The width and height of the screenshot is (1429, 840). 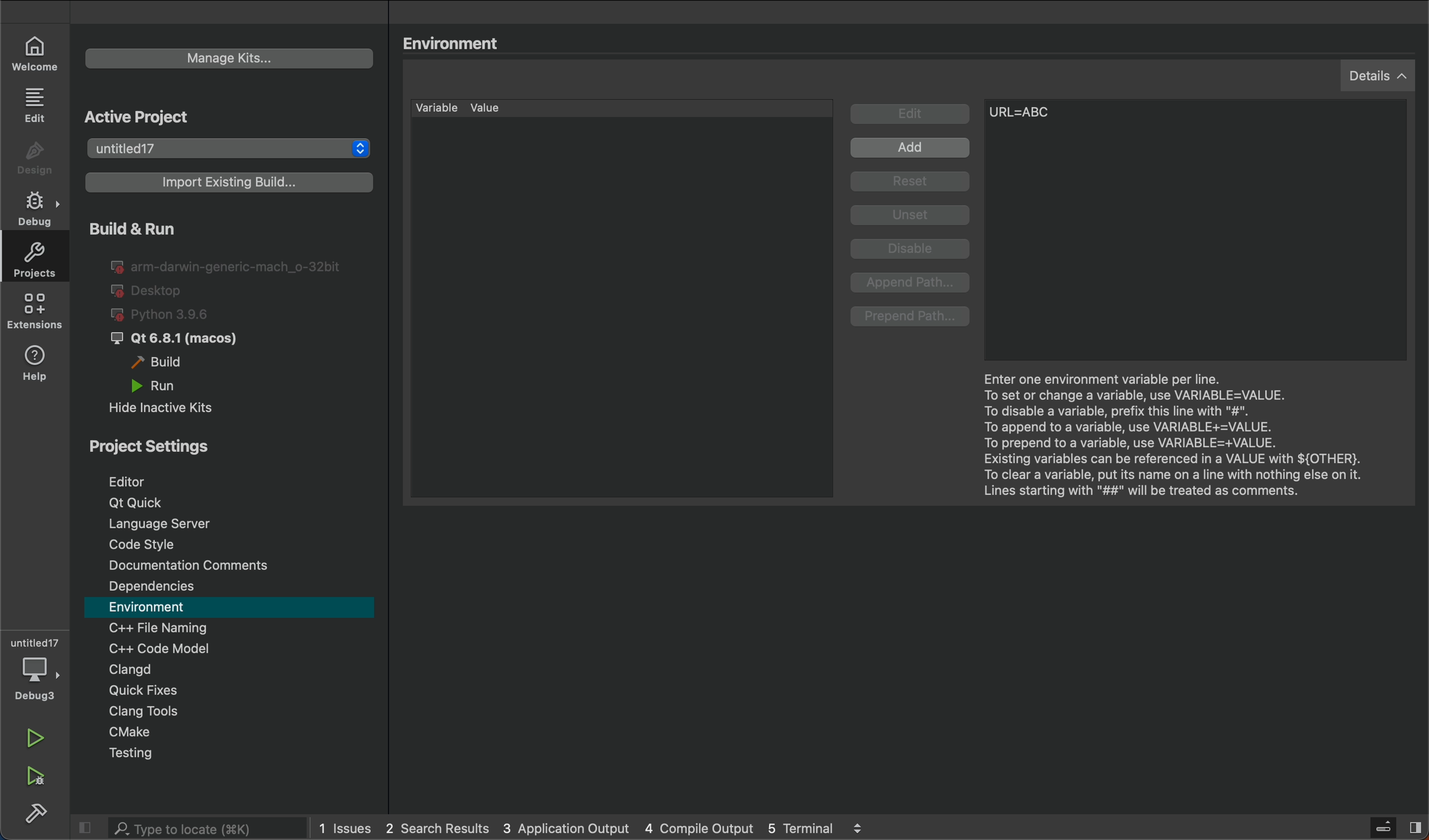 What do you see at coordinates (39, 104) in the screenshot?
I see `edit` at bounding box center [39, 104].